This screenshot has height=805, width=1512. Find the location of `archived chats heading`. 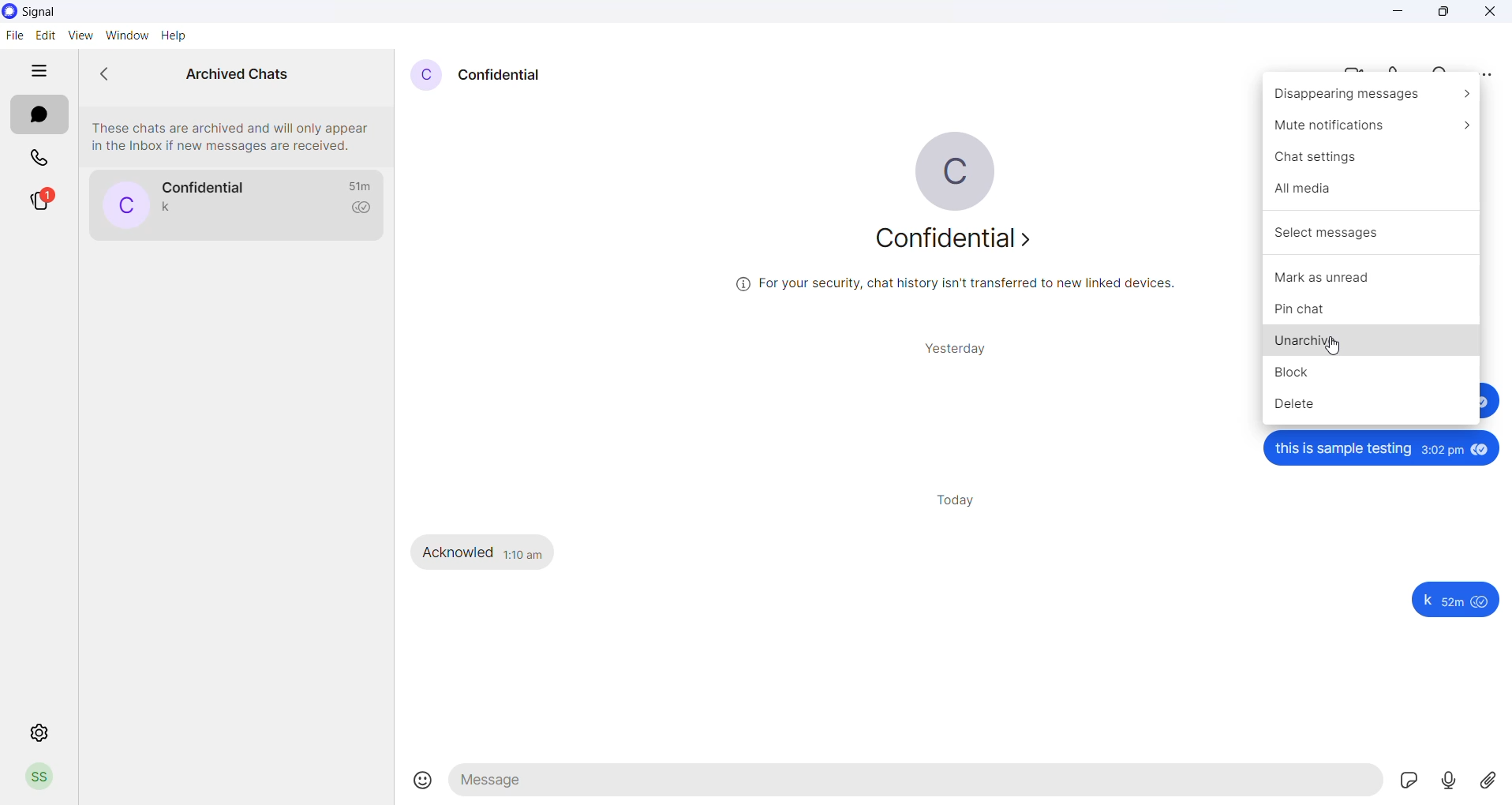

archived chats heading is located at coordinates (235, 69).